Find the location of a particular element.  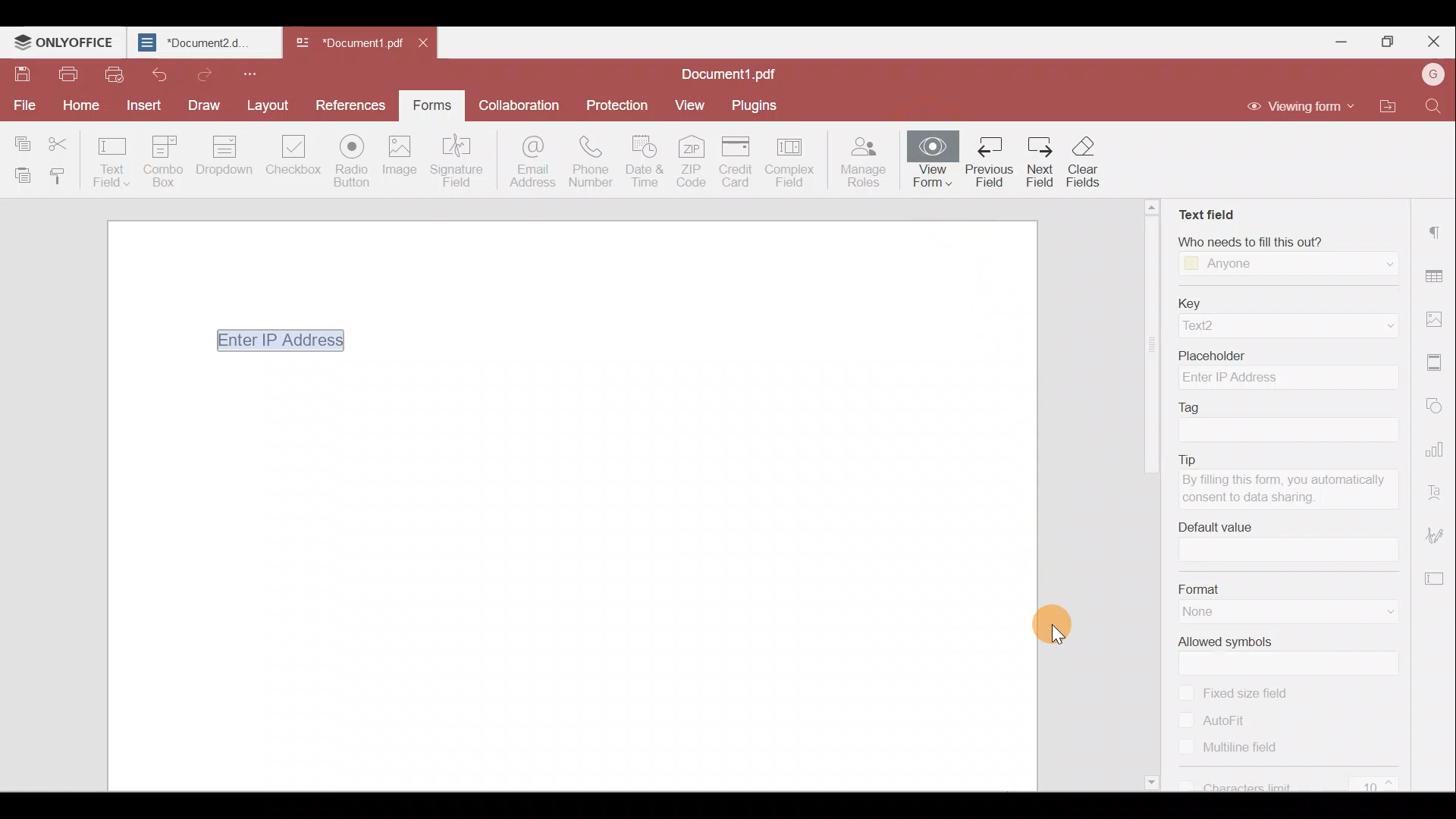

Undo is located at coordinates (158, 74).